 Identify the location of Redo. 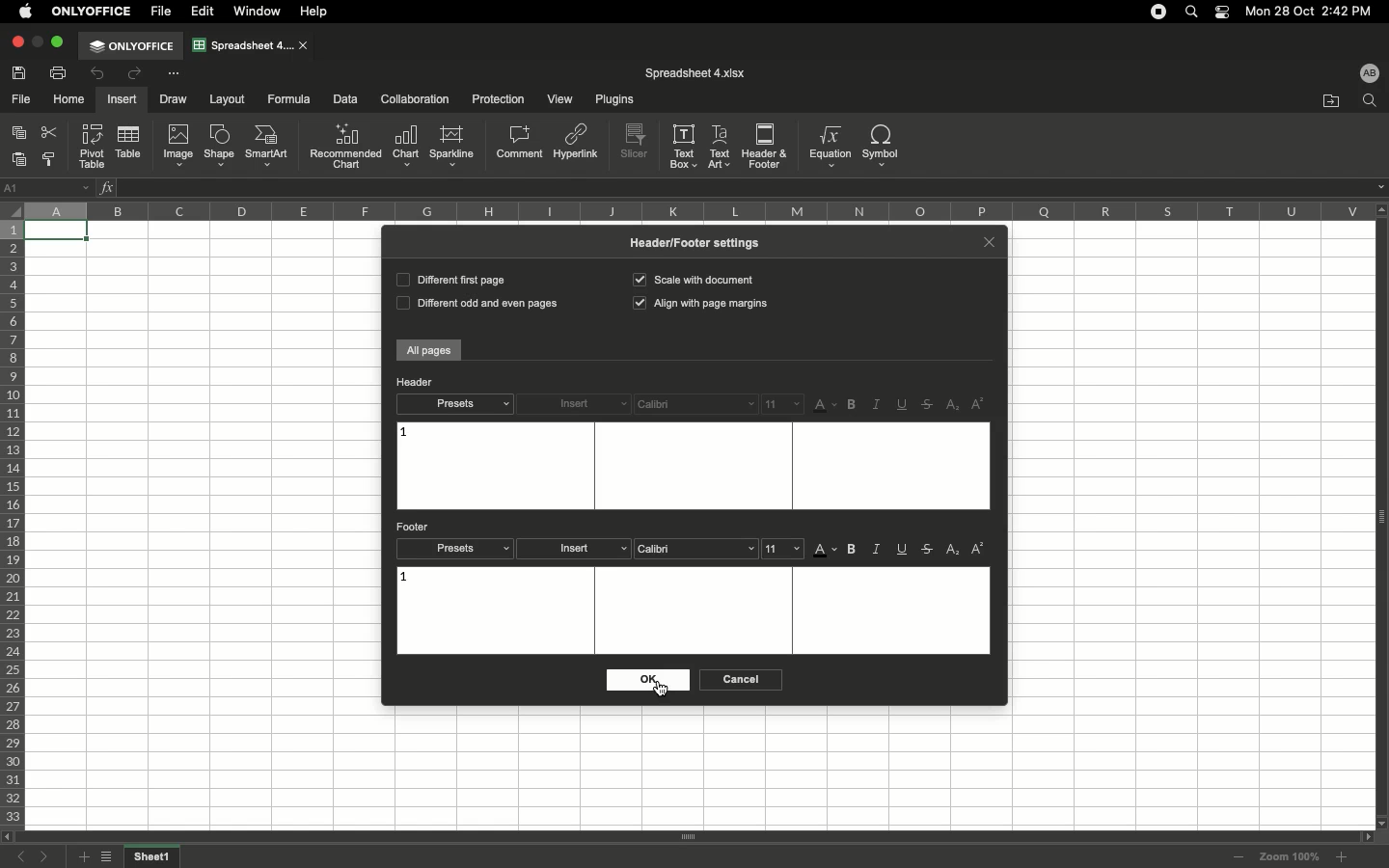
(133, 73).